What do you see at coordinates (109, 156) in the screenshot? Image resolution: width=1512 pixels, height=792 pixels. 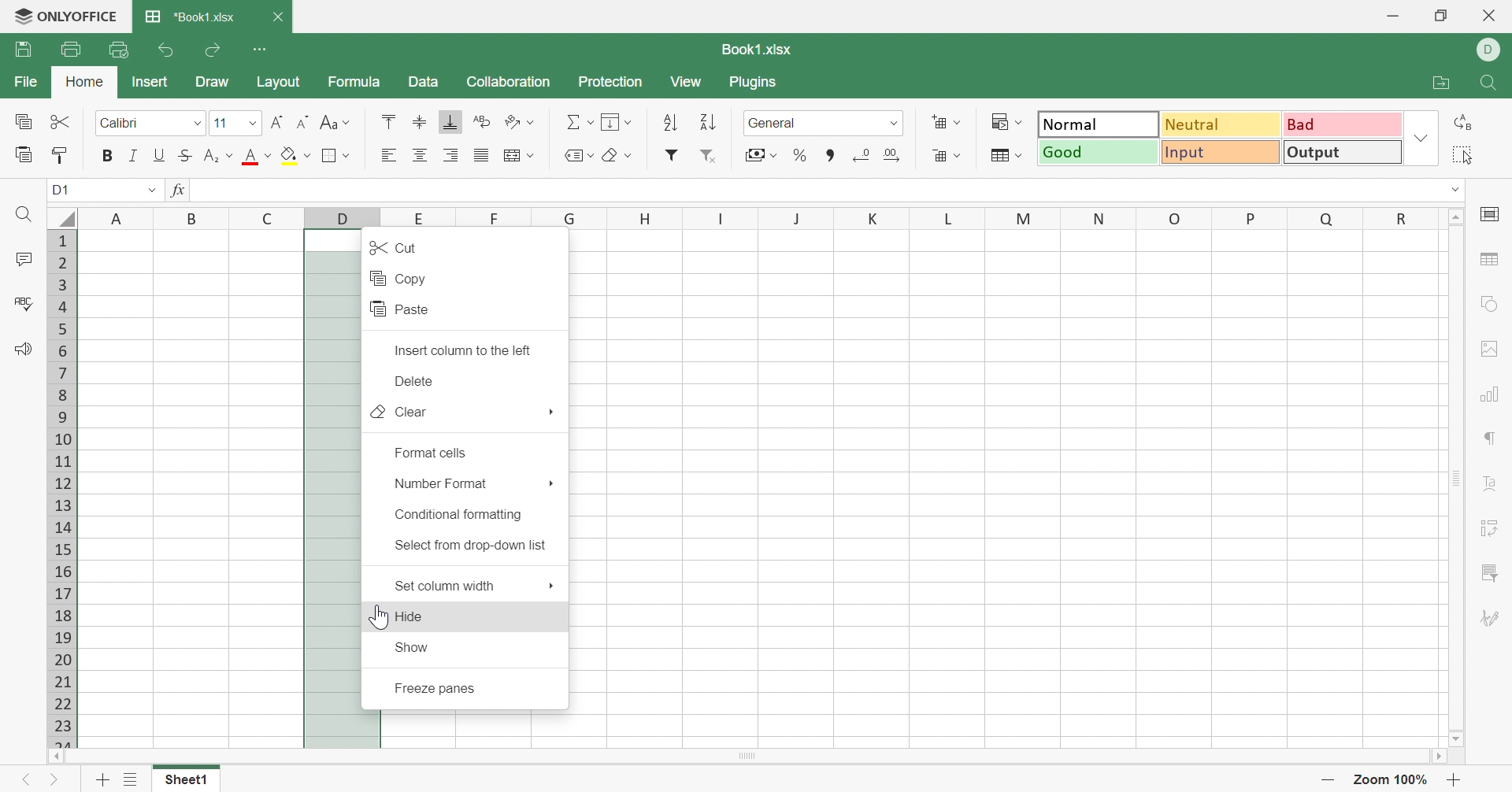 I see `Bold` at bounding box center [109, 156].